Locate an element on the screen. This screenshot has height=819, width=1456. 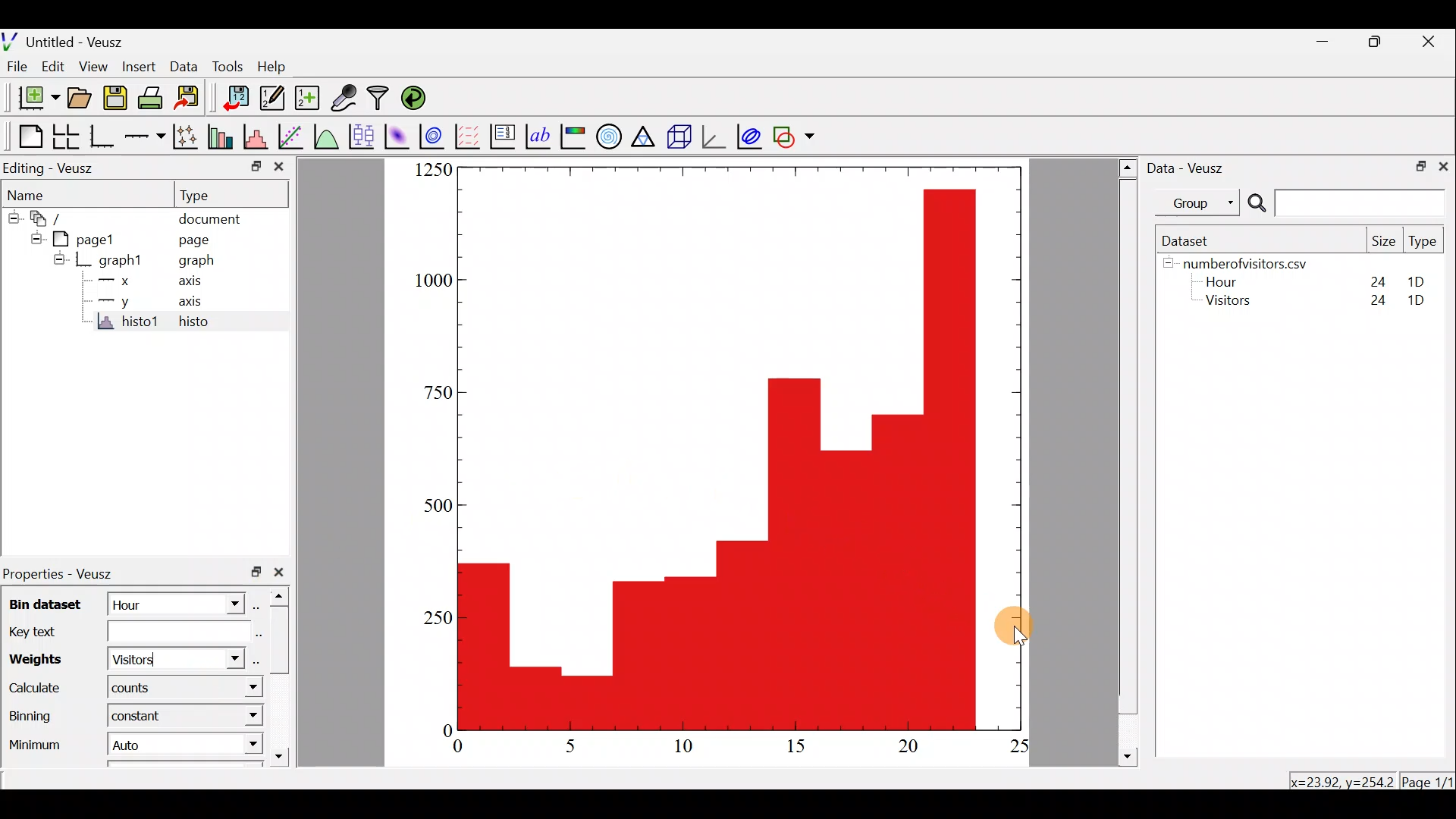
add a shape to the plot is located at coordinates (795, 137).